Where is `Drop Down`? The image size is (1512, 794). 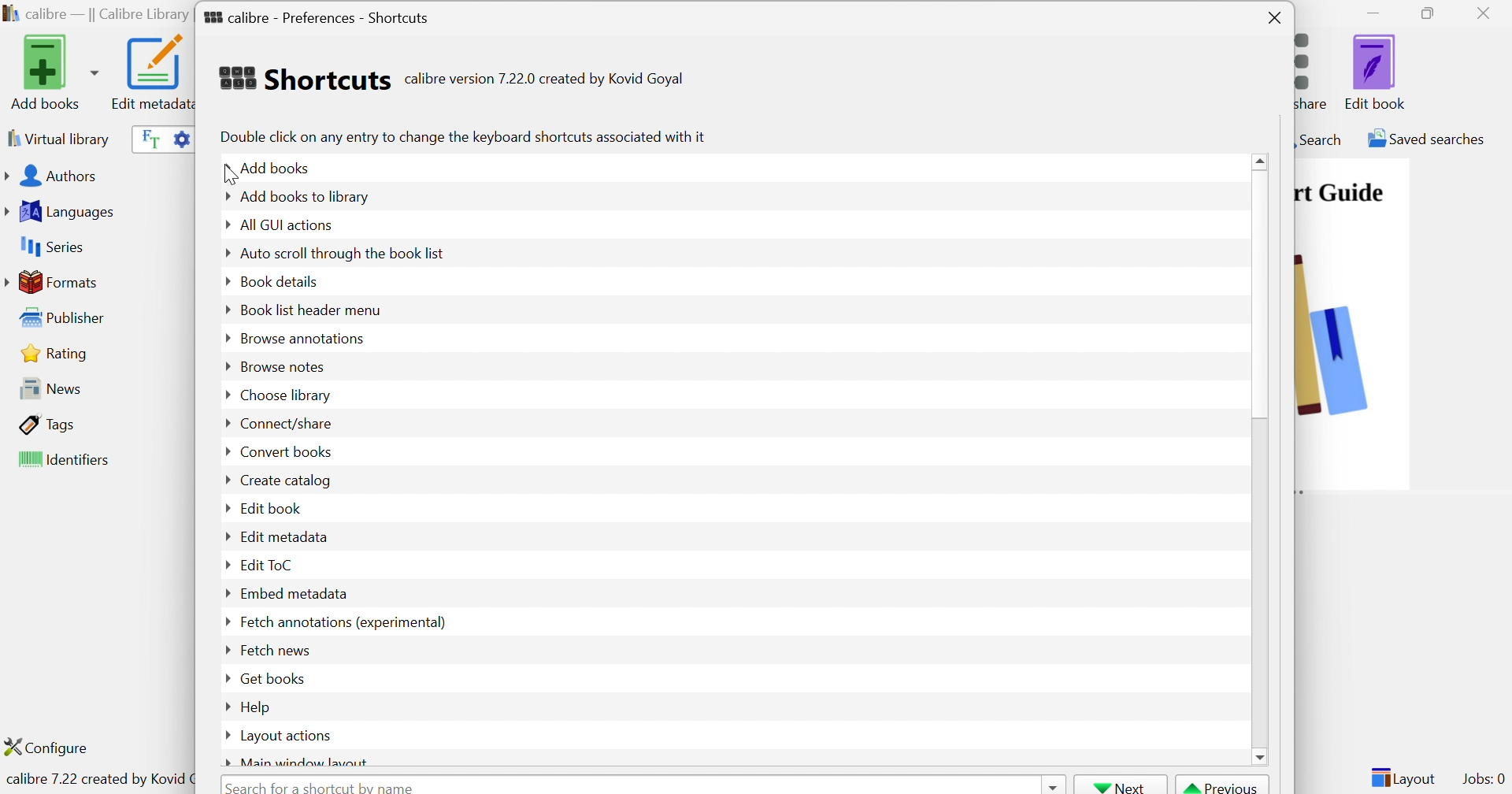 Drop Down is located at coordinates (224, 651).